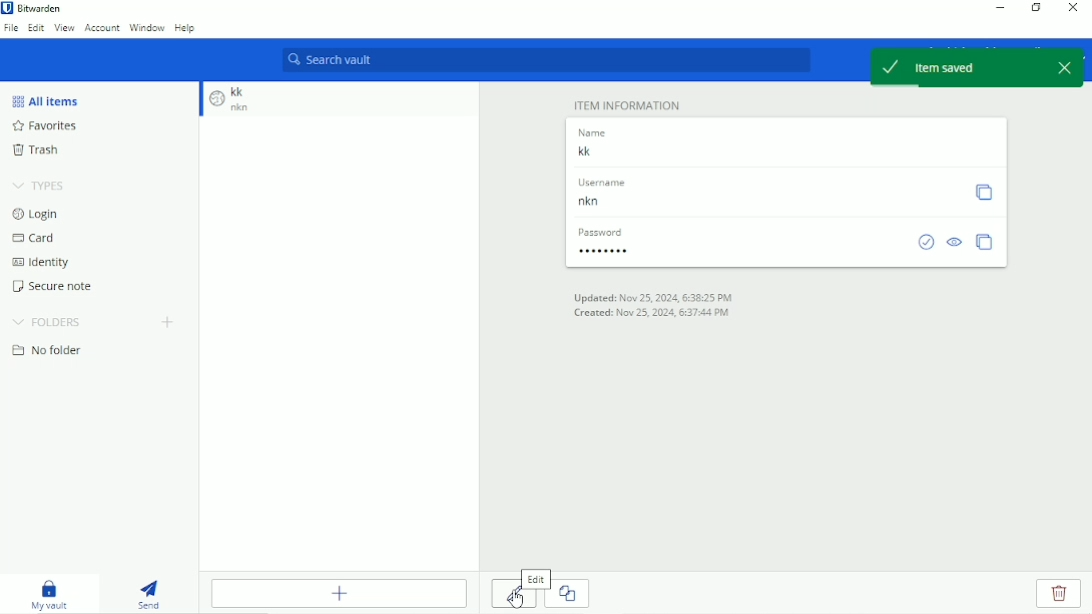 Image resolution: width=1092 pixels, height=614 pixels. Describe the element at coordinates (50, 595) in the screenshot. I see `My vault` at that location.